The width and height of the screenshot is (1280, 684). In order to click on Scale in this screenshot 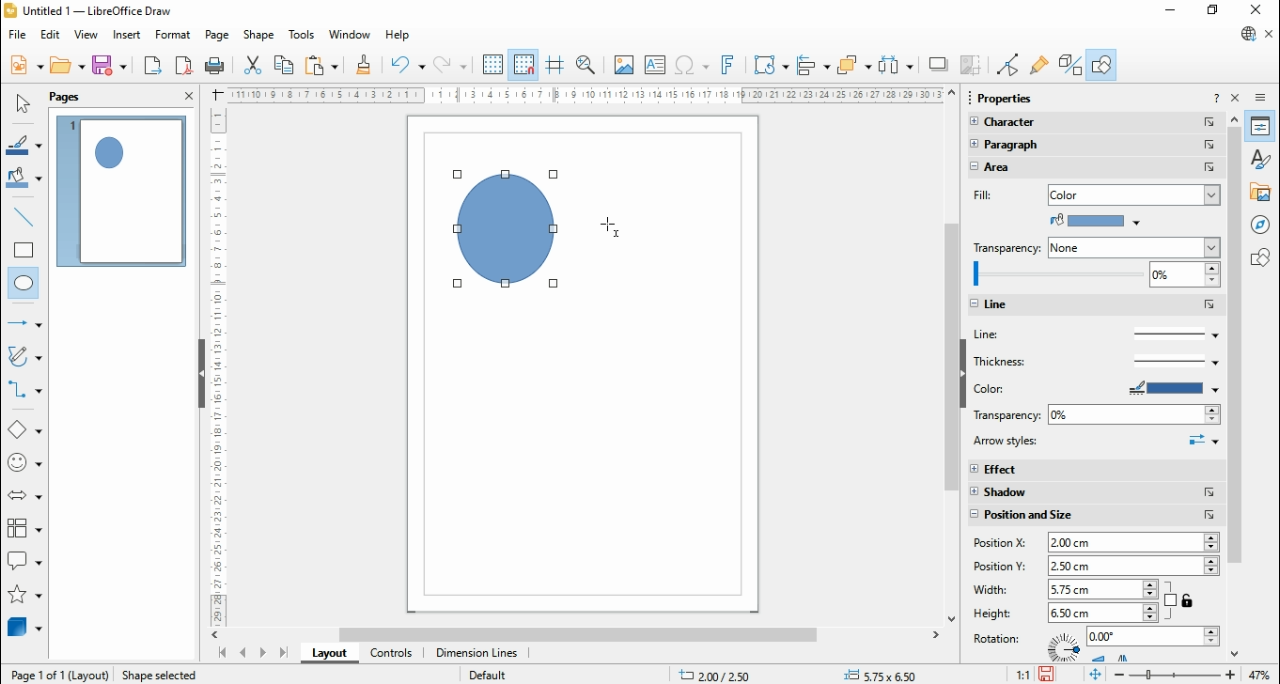, I will do `click(217, 363)`.